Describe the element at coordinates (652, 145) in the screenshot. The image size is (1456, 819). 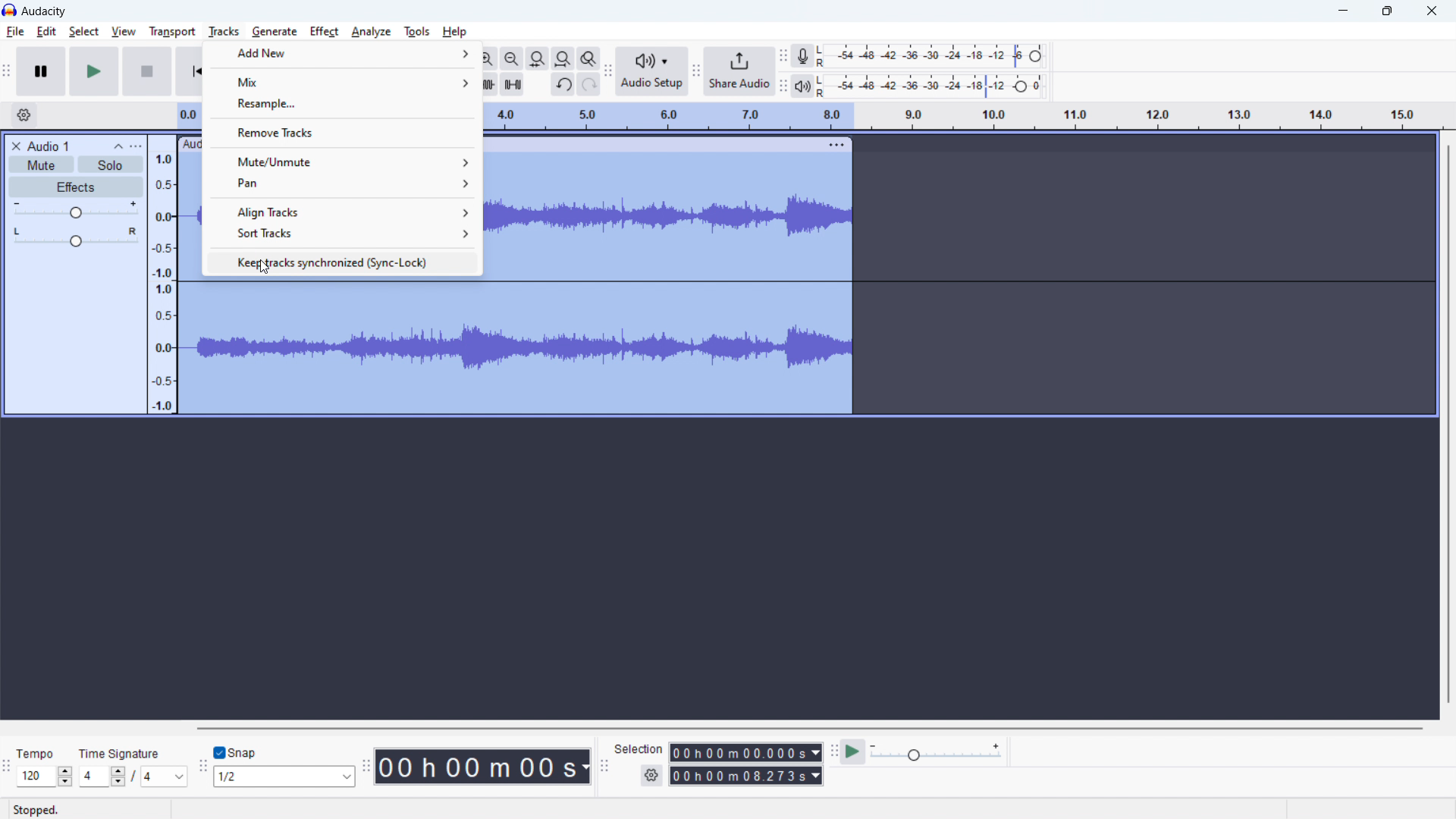
I see `click to move` at that location.